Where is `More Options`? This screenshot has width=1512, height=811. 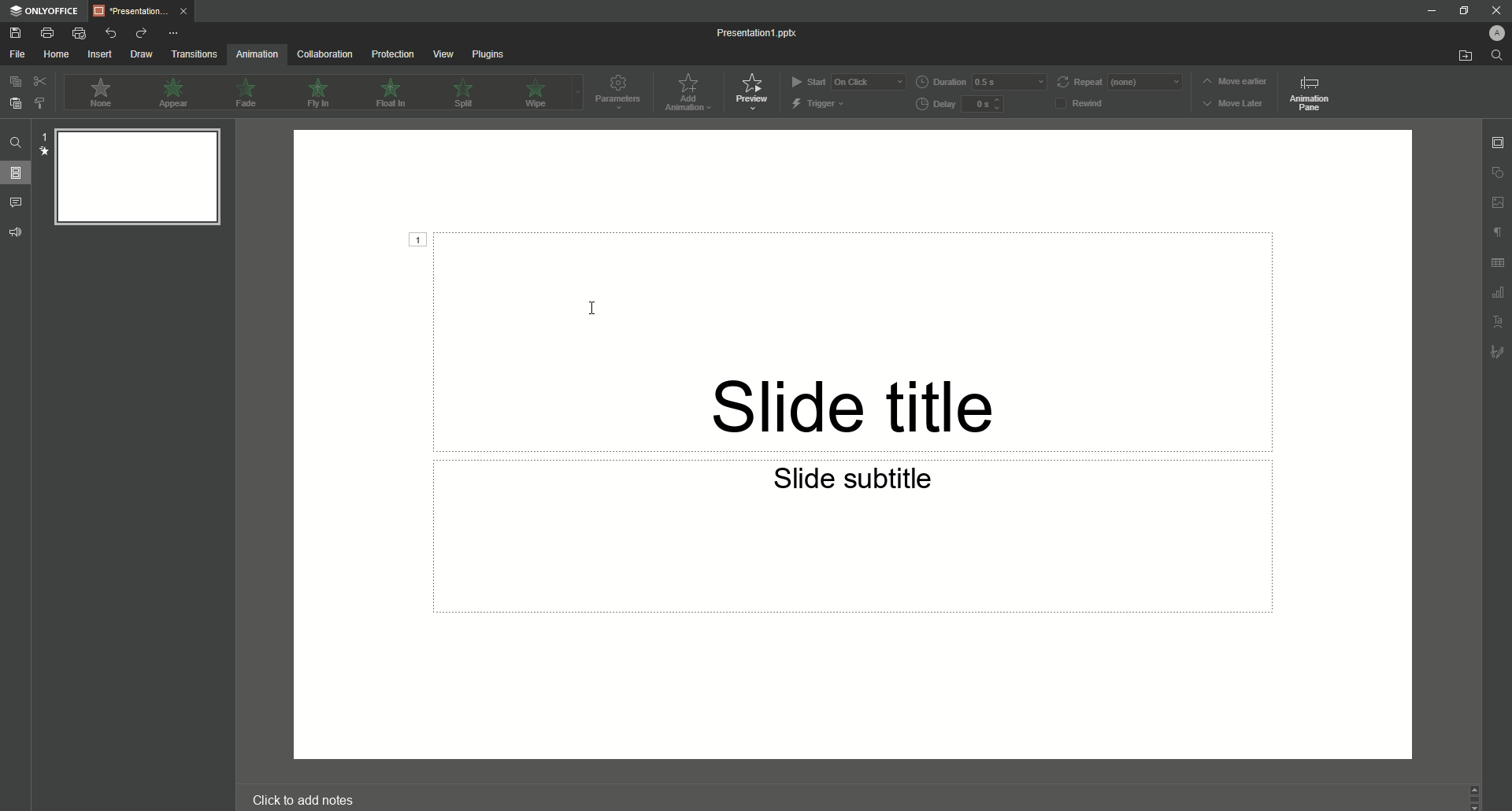
More Options is located at coordinates (174, 34).